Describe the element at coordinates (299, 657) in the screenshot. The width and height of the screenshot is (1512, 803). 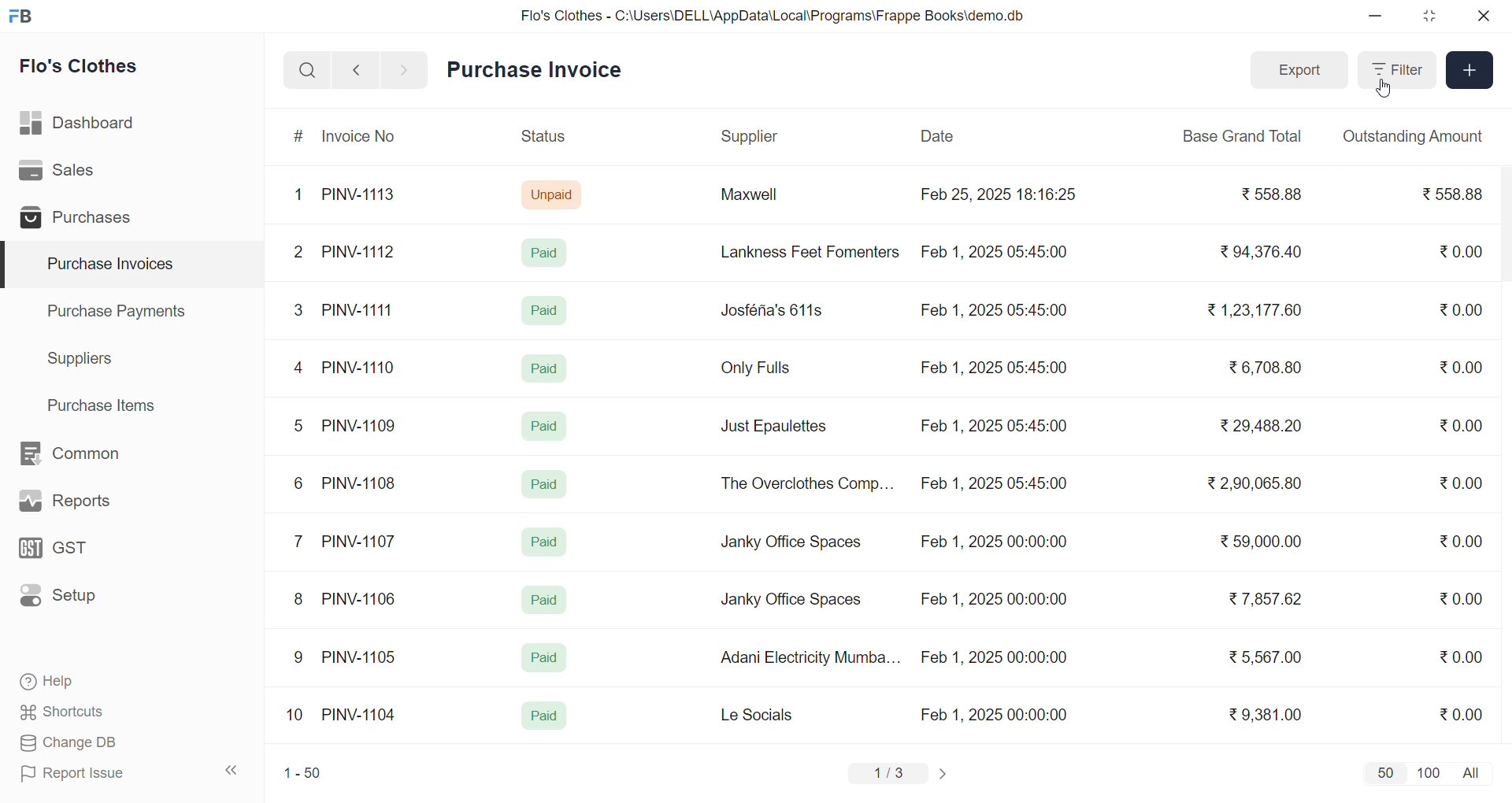
I see `9` at that location.